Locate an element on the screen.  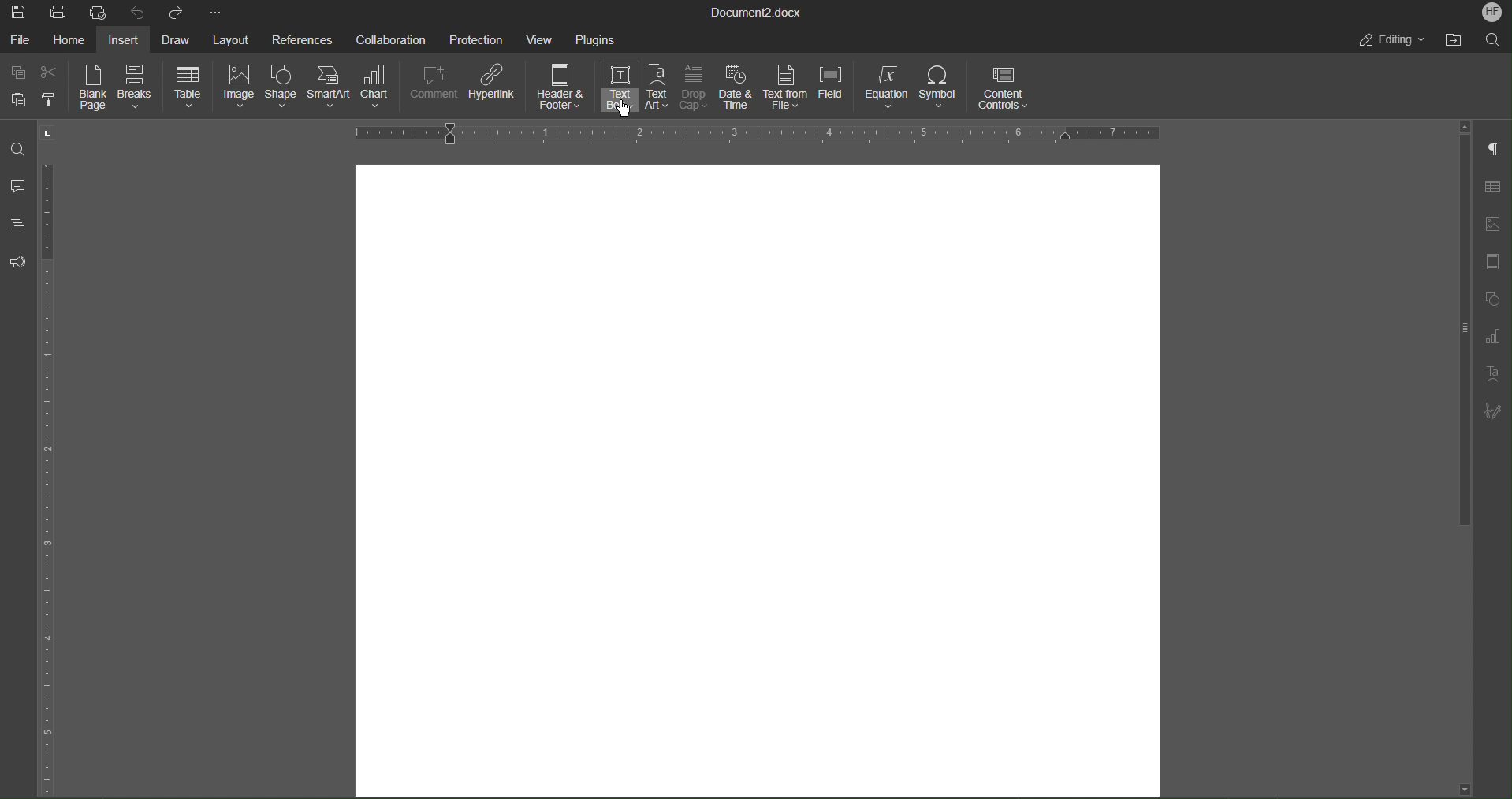
Print is located at coordinates (60, 11).